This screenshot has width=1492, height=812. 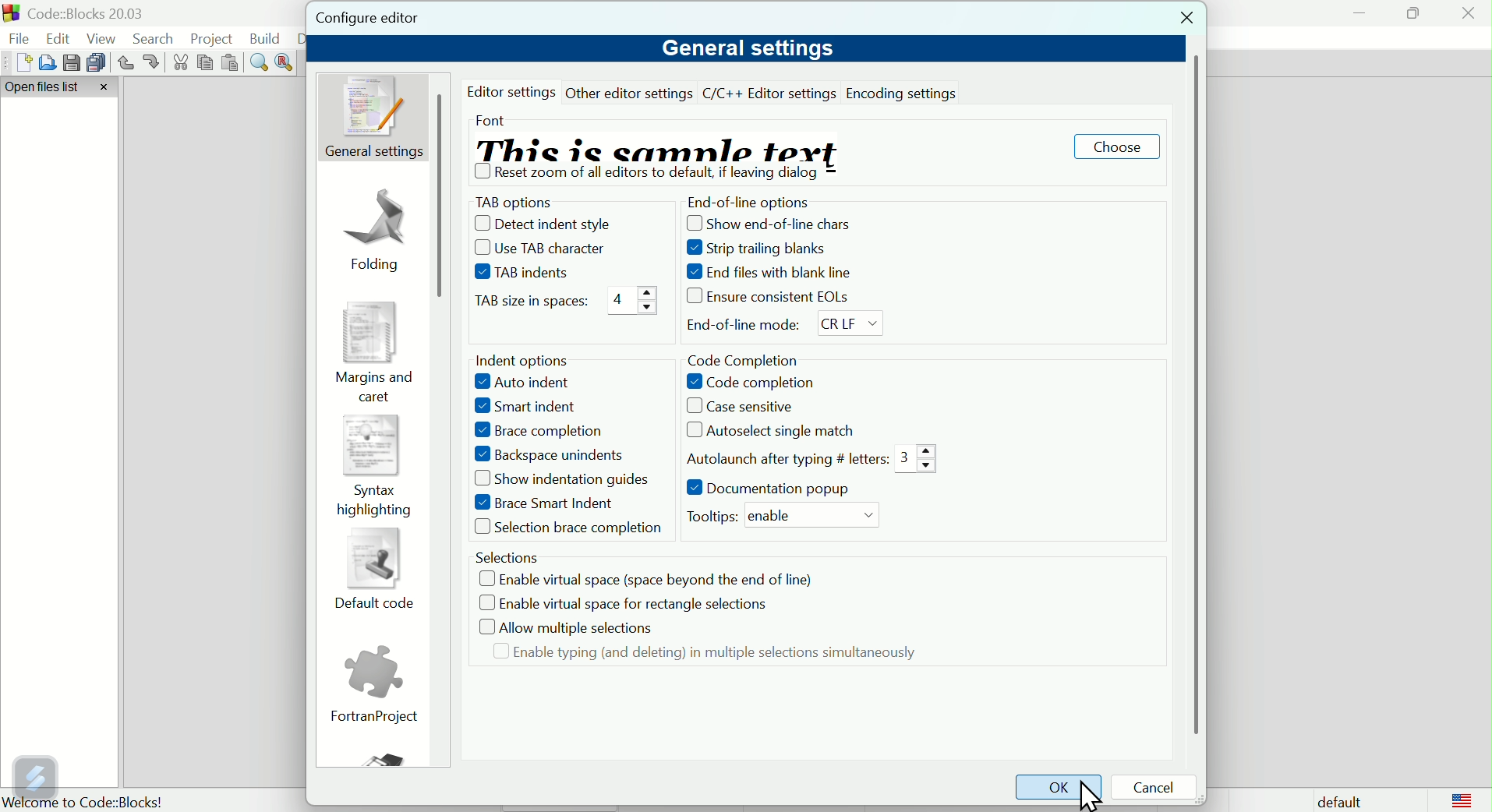 What do you see at coordinates (778, 274) in the screenshot?
I see `End files with black line` at bounding box center [778, 274].